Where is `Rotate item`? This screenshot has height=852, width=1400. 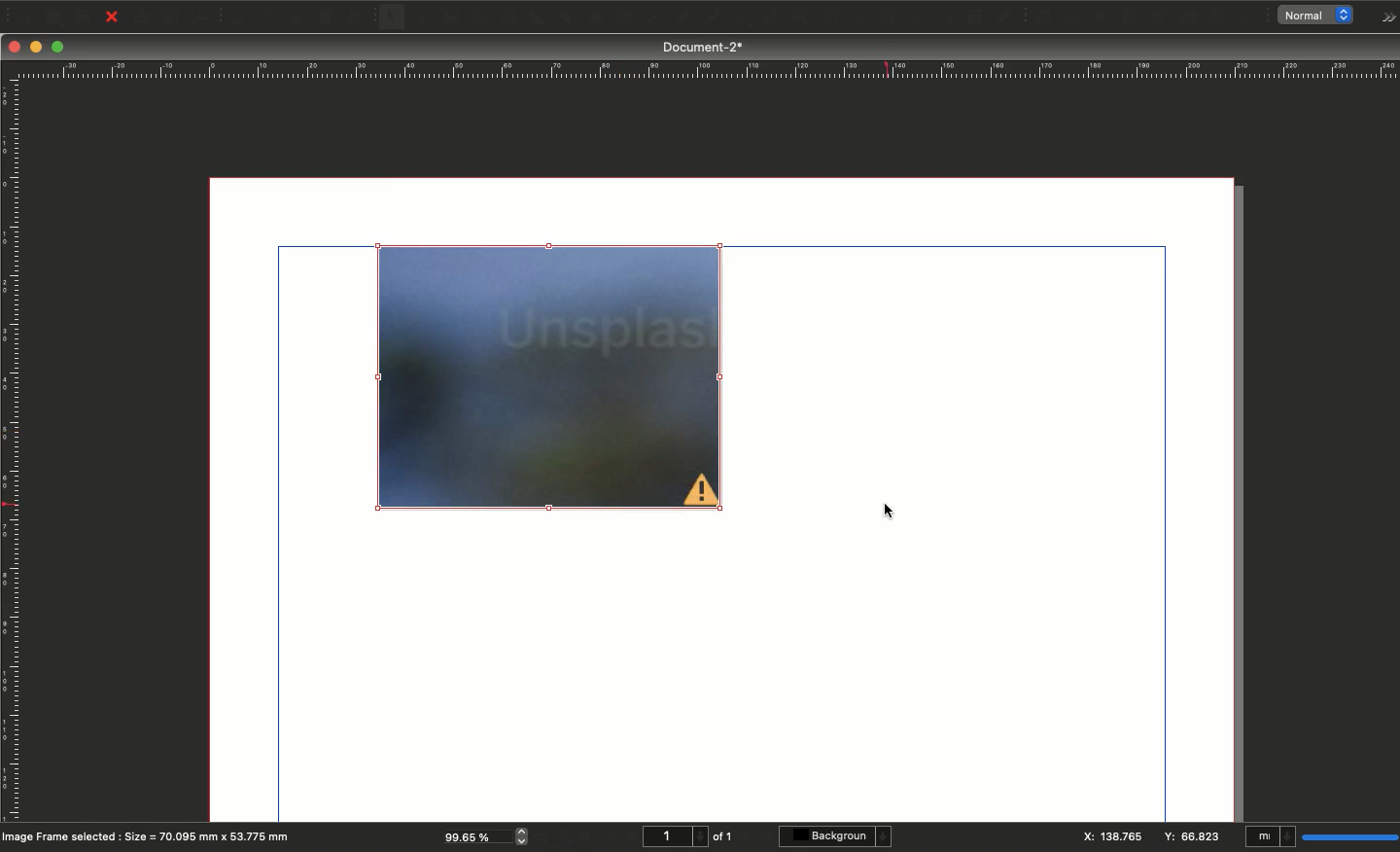
Rotate item is located at coordinates (740, 20).